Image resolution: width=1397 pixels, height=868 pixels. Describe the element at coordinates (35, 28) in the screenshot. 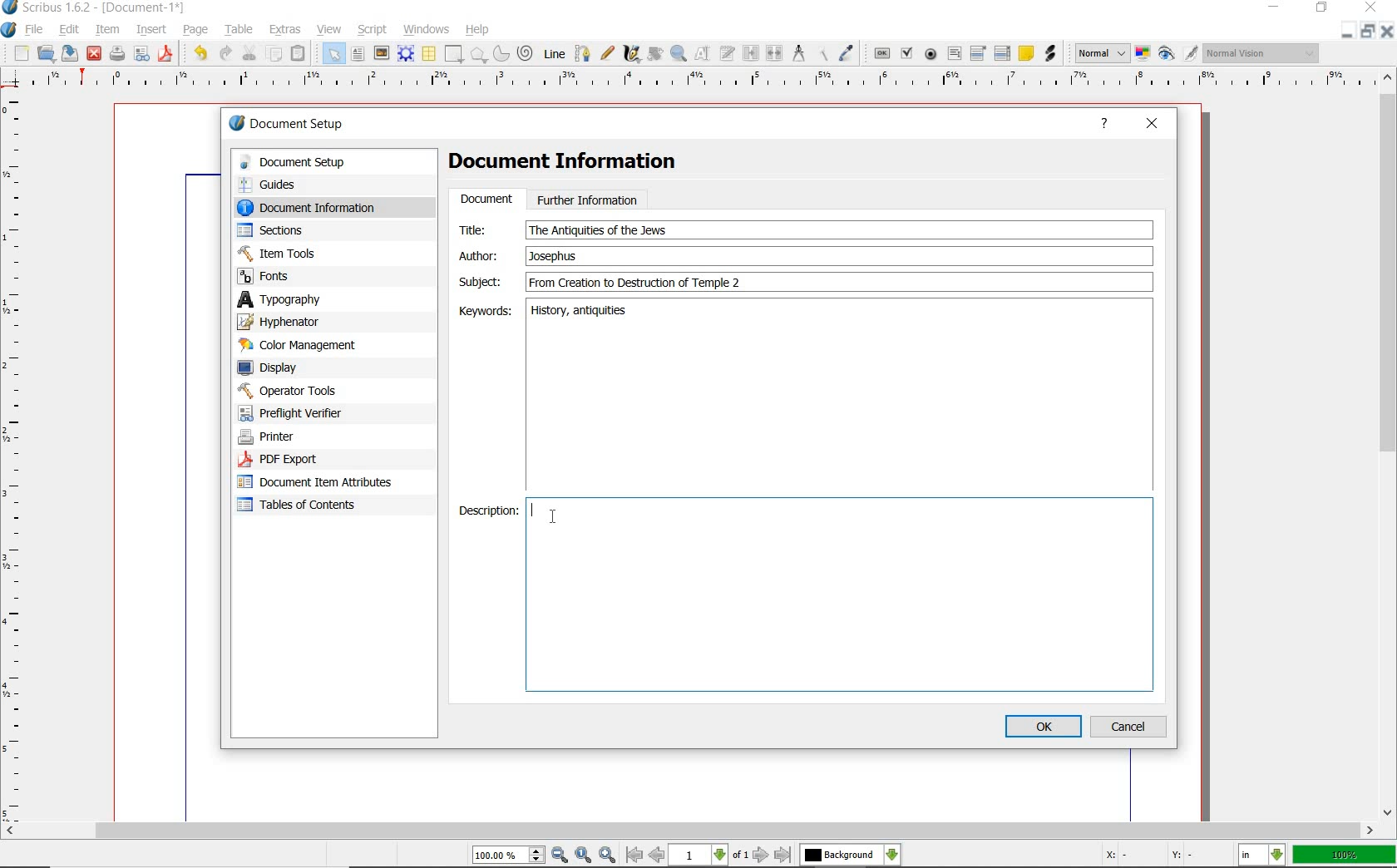

I see `file` at that location.